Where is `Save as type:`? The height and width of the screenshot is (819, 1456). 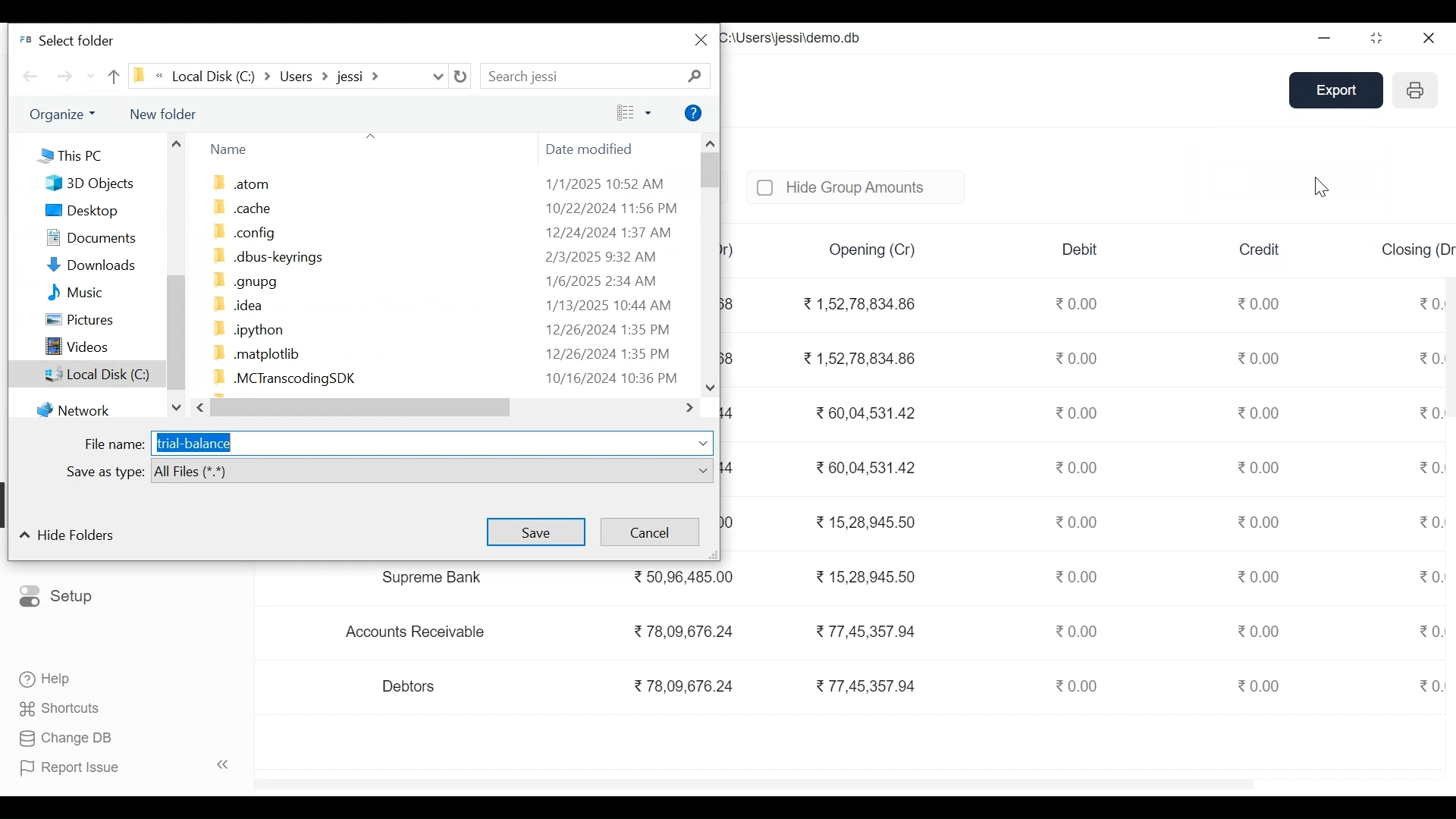 Save as type: is located at coordinates (101, 469).